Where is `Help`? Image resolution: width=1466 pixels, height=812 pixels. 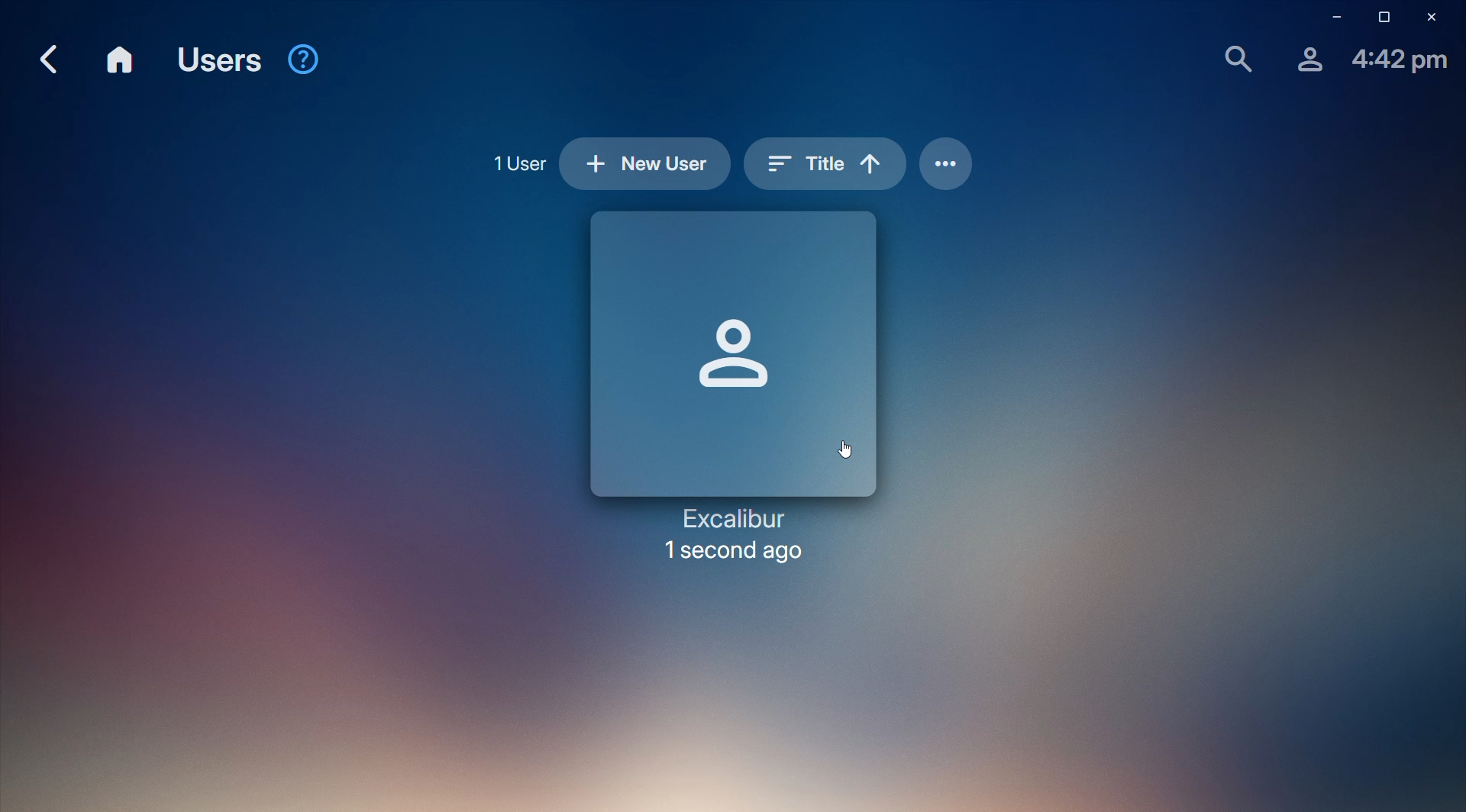 Help is located at coordinates (306, 61).